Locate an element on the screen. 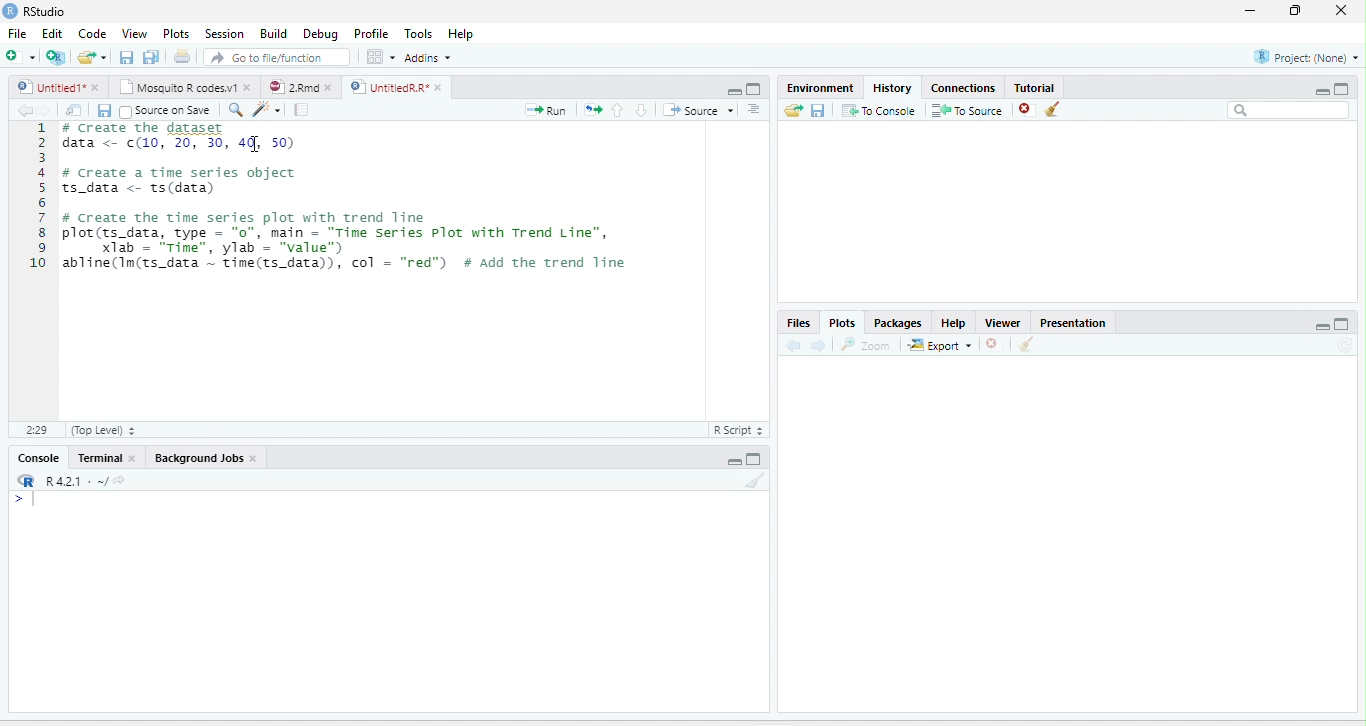 This screenshot has height=726, width=1366. Go to file/function is located at coordinates (277, 57).